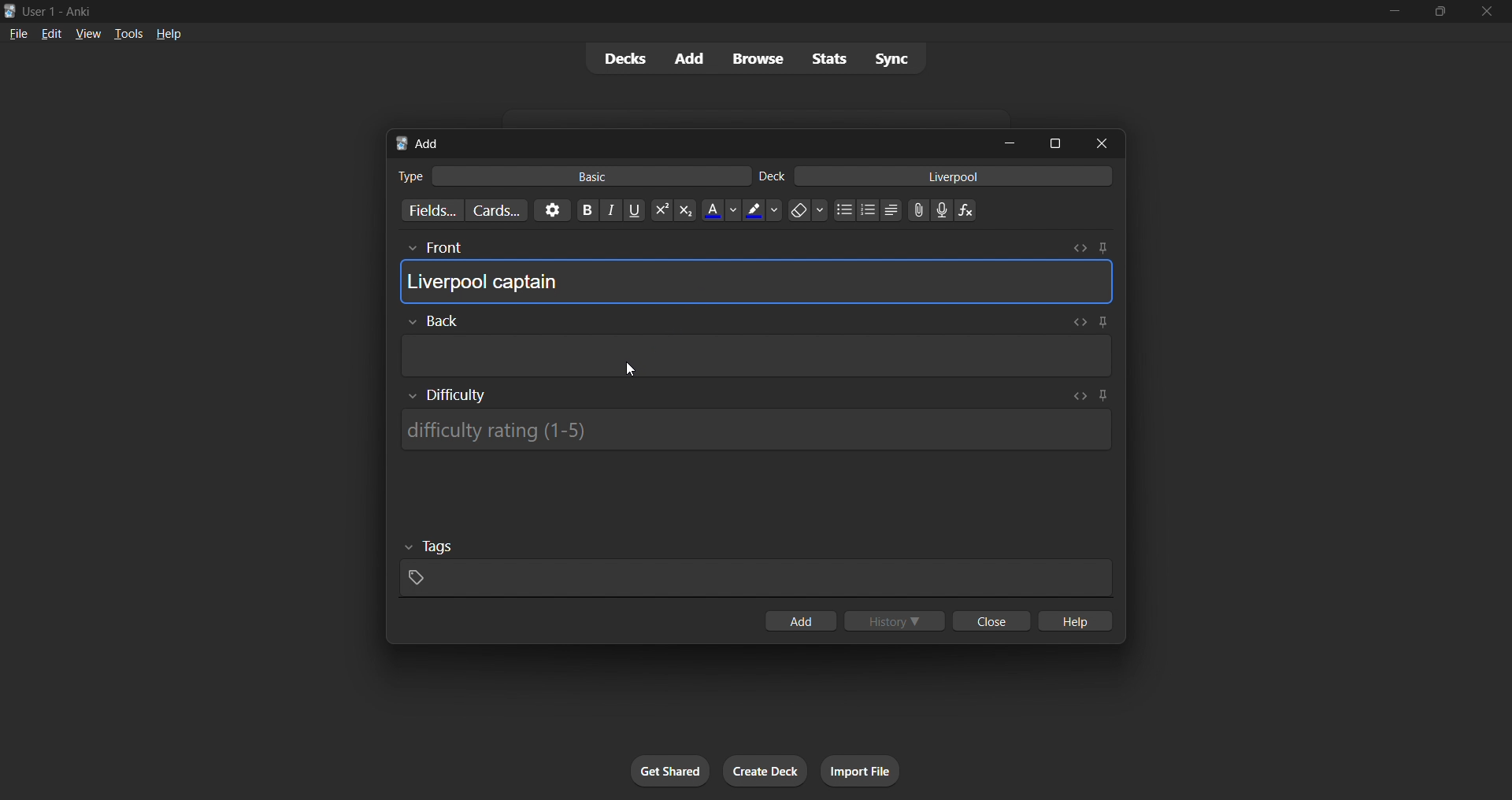  I want to click on help, so click(169, 34).